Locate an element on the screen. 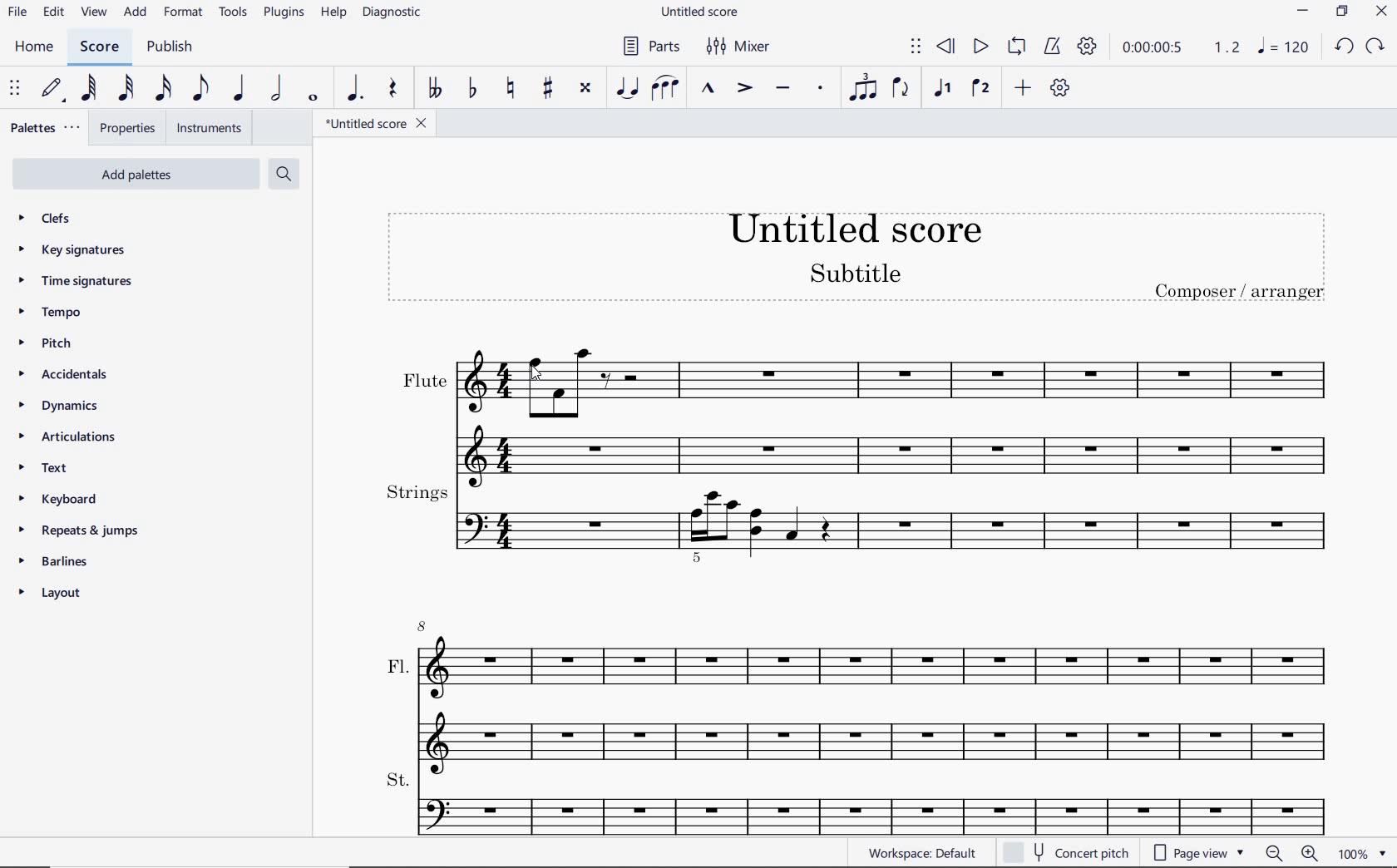 The height and width of the screenshot is (868, 1397). TOGGLE SHARP is located at coordinates (548, 87).